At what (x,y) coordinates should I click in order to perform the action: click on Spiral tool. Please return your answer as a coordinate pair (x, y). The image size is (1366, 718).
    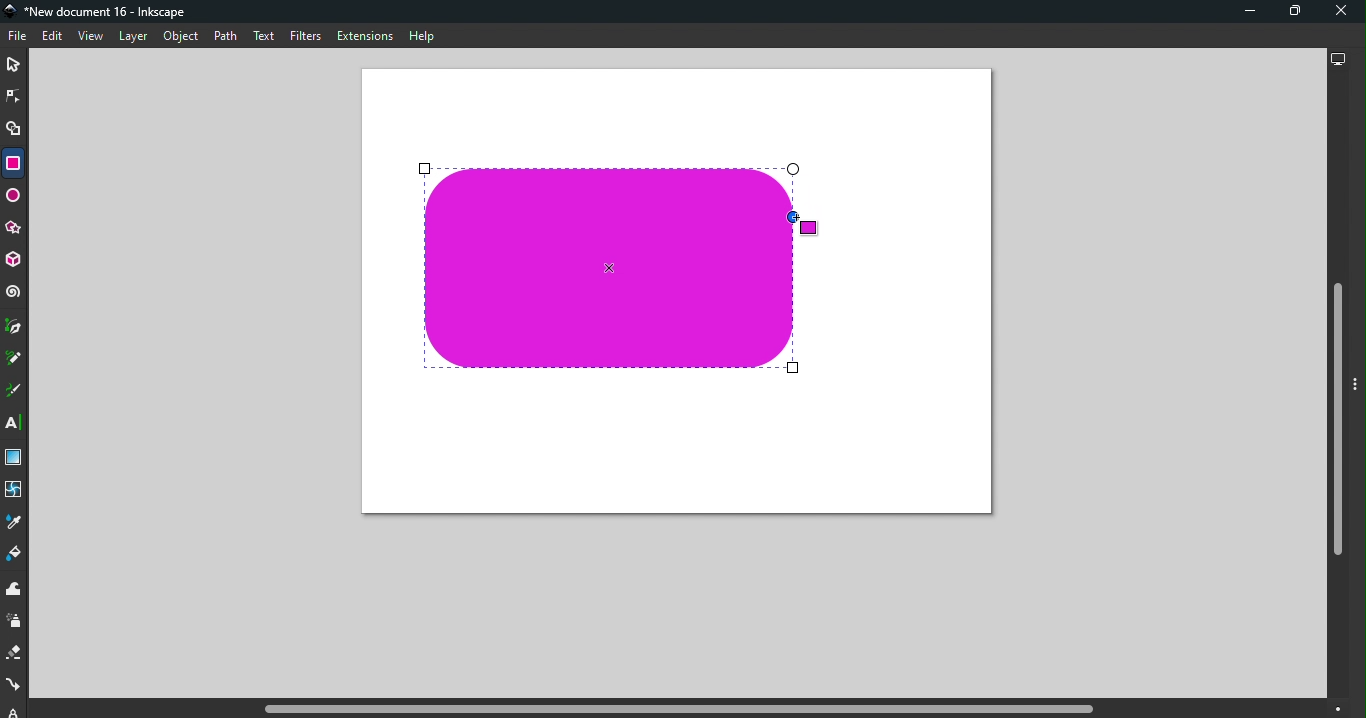
    Looking at the image, I should click on (14, 292).